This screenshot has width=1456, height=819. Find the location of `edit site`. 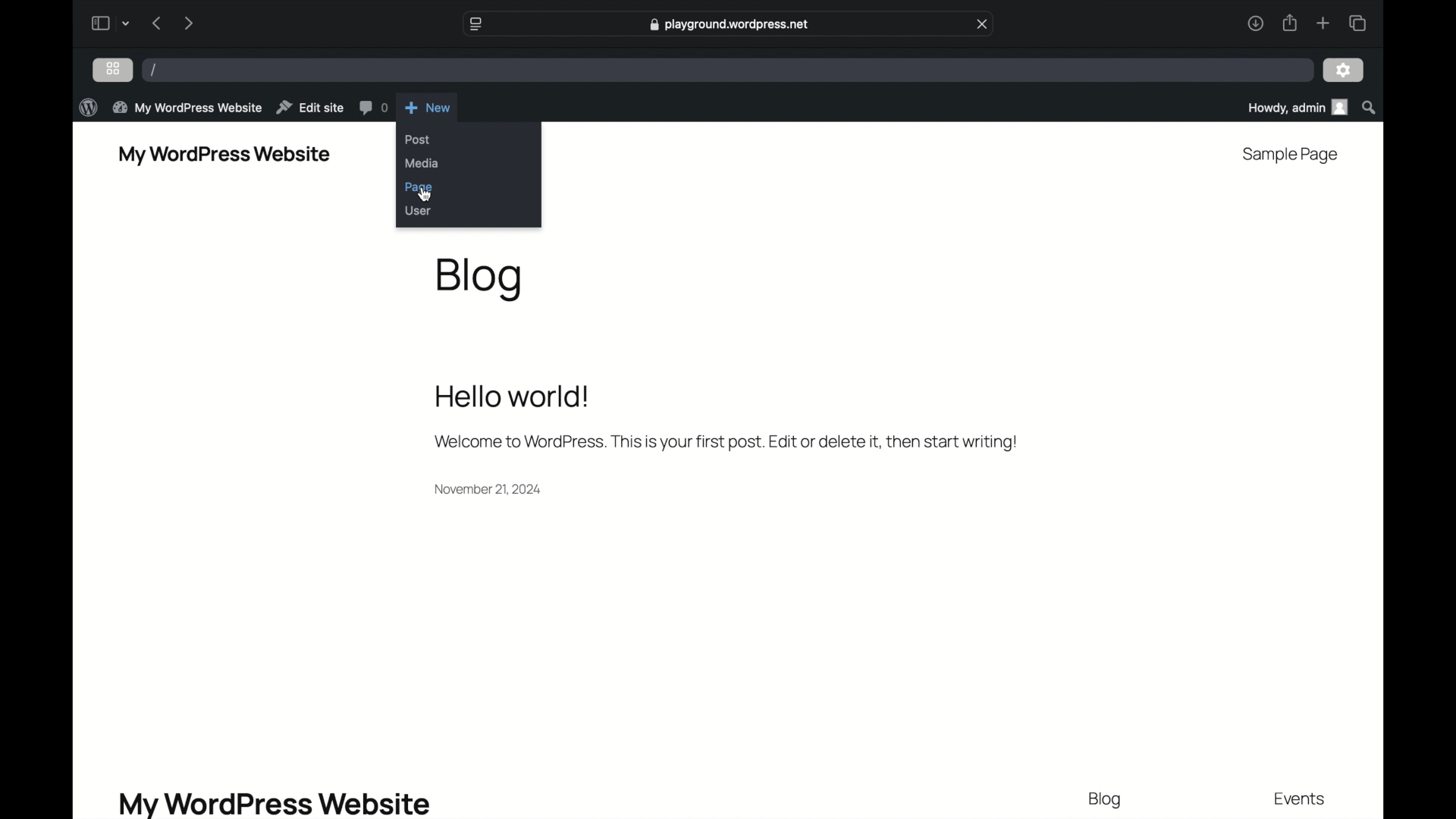

edit site is located at coordinates (311, 107).